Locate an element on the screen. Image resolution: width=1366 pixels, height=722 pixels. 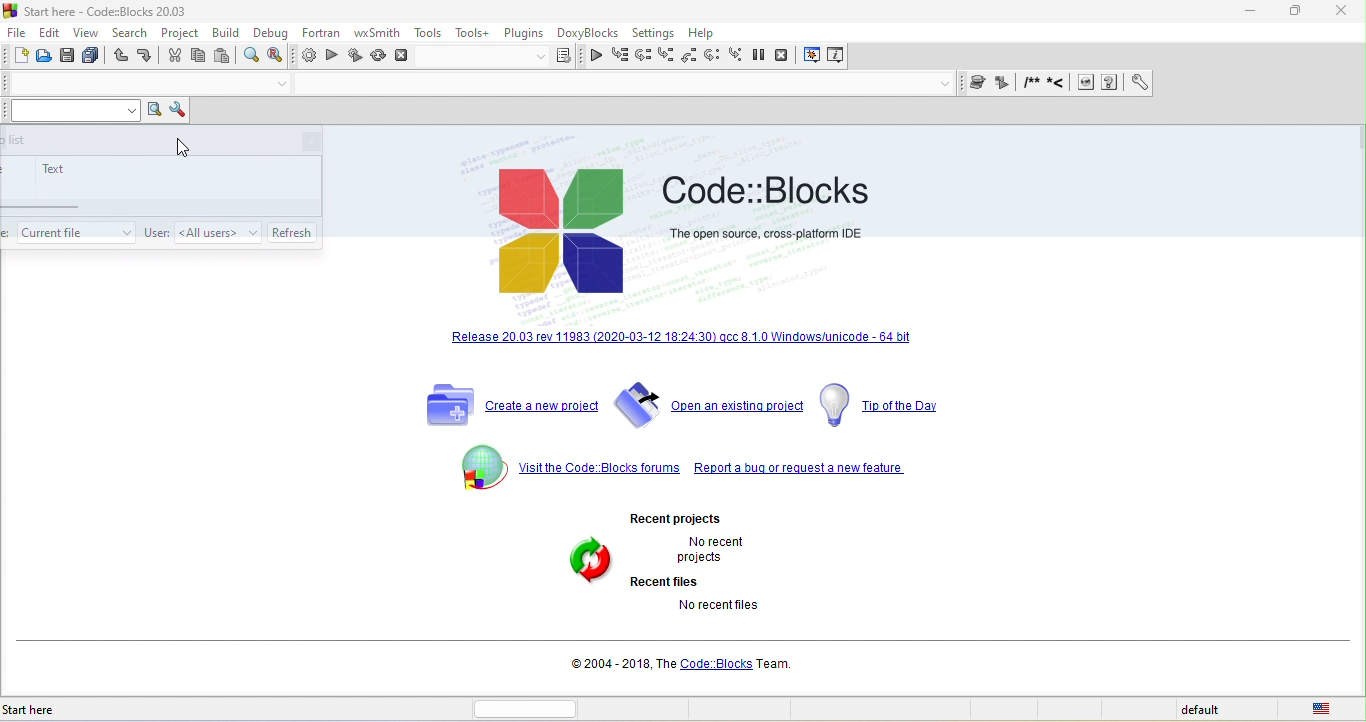
code blocks  is located at coordinates (772, 186).